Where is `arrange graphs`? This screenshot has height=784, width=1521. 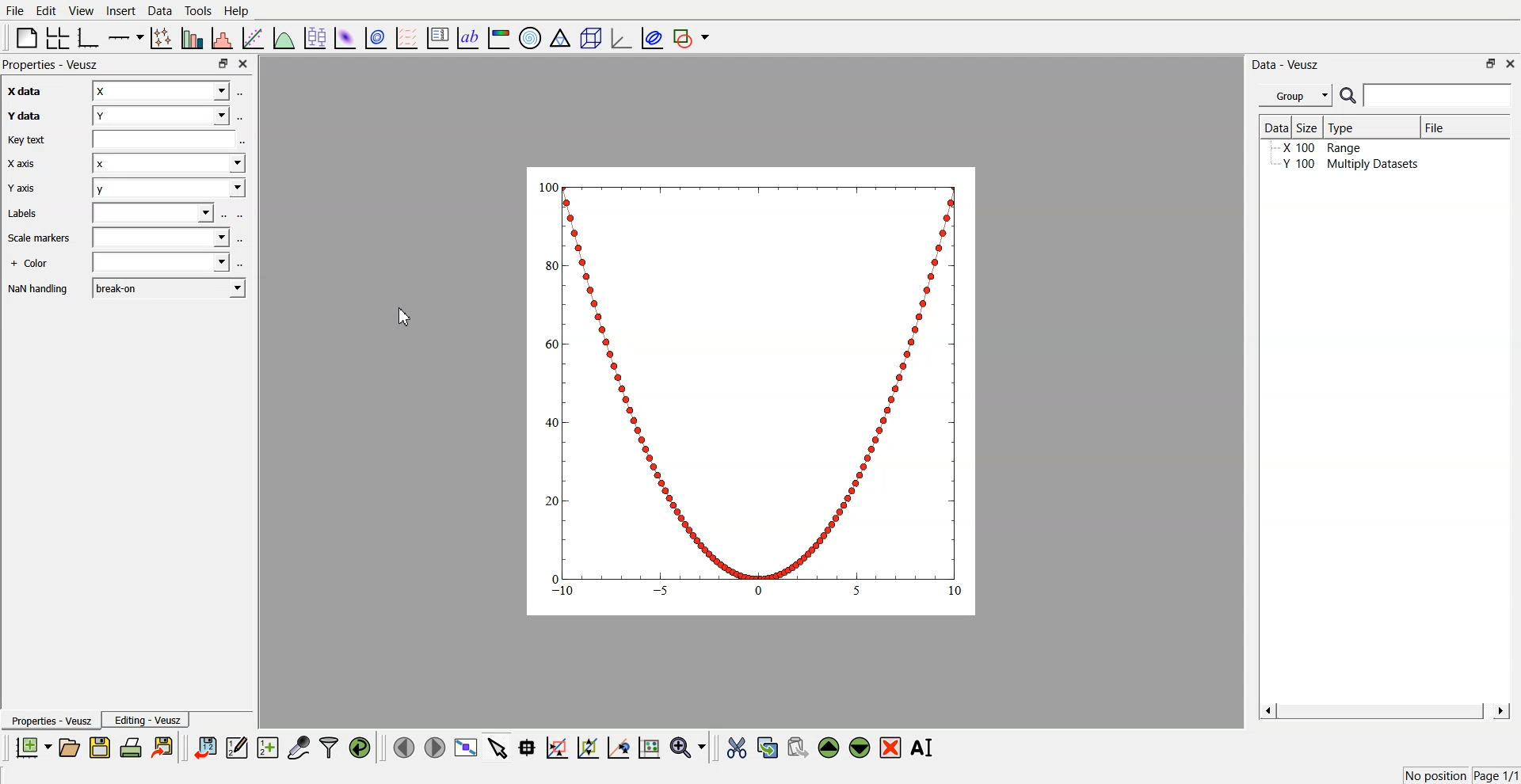
arrange graphs is located at coordinates (55, 37).